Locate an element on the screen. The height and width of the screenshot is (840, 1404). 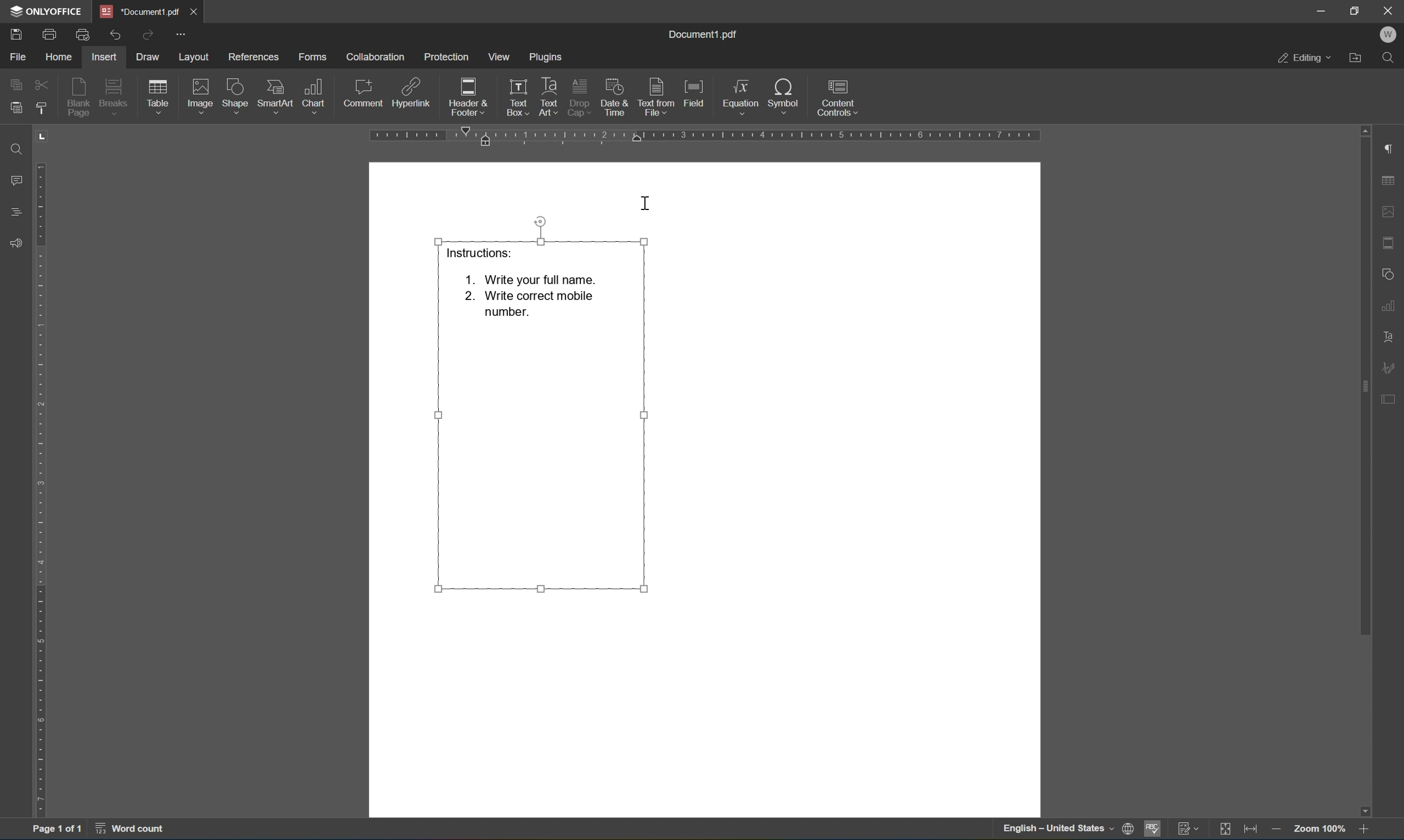
Open file location is located at coordinates (1356, 58).